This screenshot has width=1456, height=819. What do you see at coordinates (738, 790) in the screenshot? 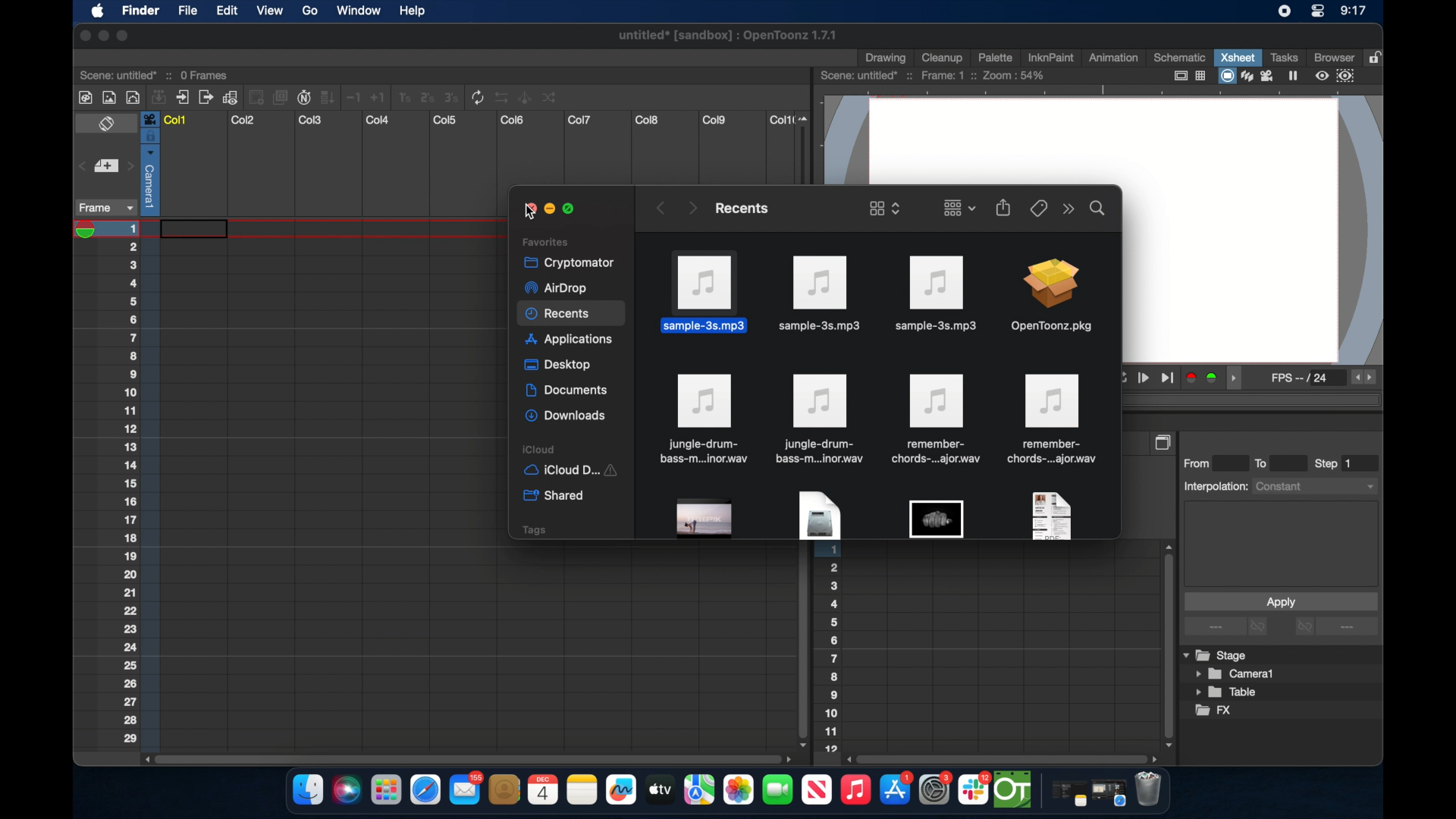
I see `photos` at bounding box center [738, 790].